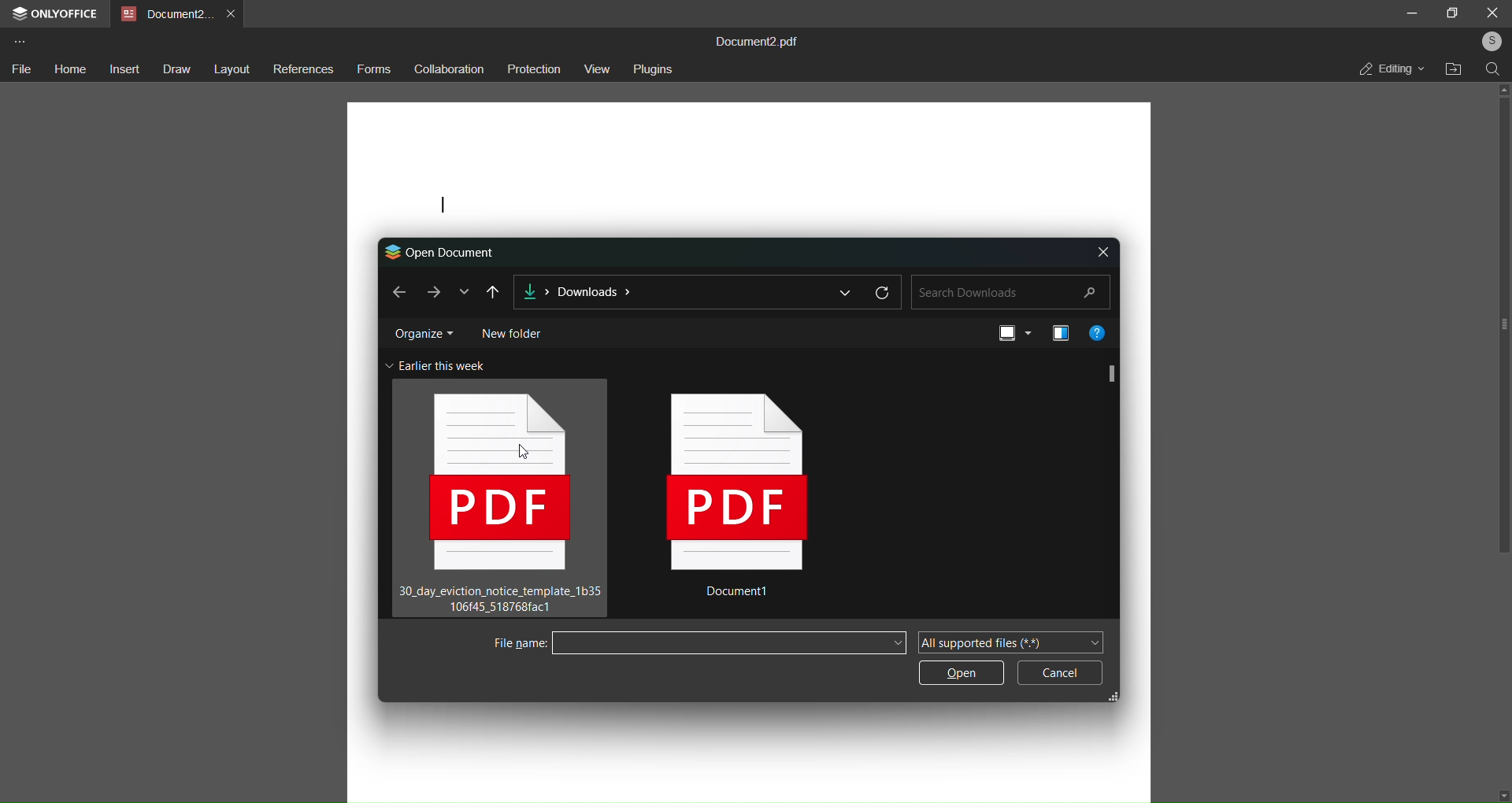 The width and height of the screenshot is (1512, 803). What do you see at coordinates (1391, 68) in the screenshot?
I see `editing` at bounding box center [1391, 68].